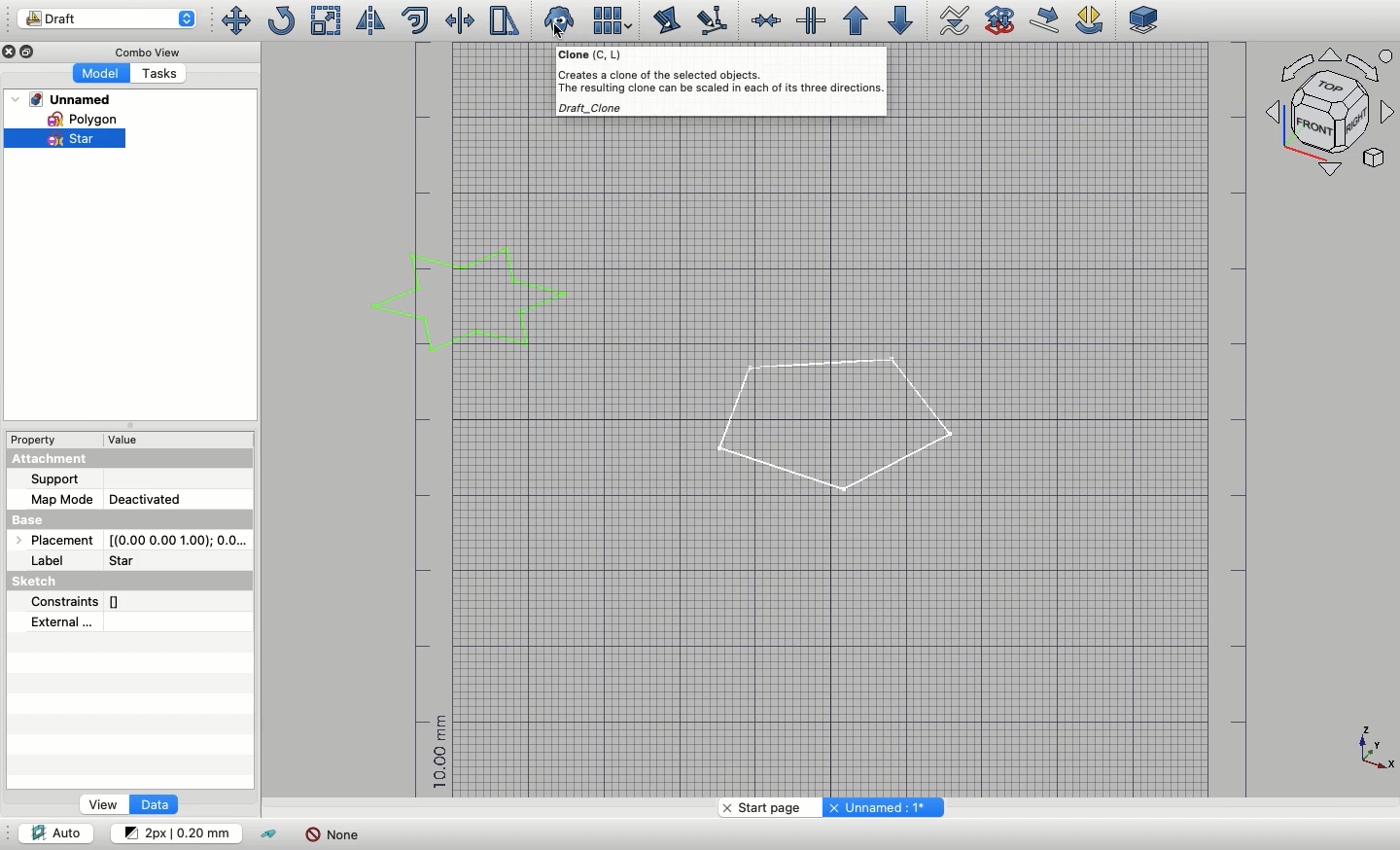 The height and width of the screenshot is (850, 1400). I want to click on Move, so click(234, 20).